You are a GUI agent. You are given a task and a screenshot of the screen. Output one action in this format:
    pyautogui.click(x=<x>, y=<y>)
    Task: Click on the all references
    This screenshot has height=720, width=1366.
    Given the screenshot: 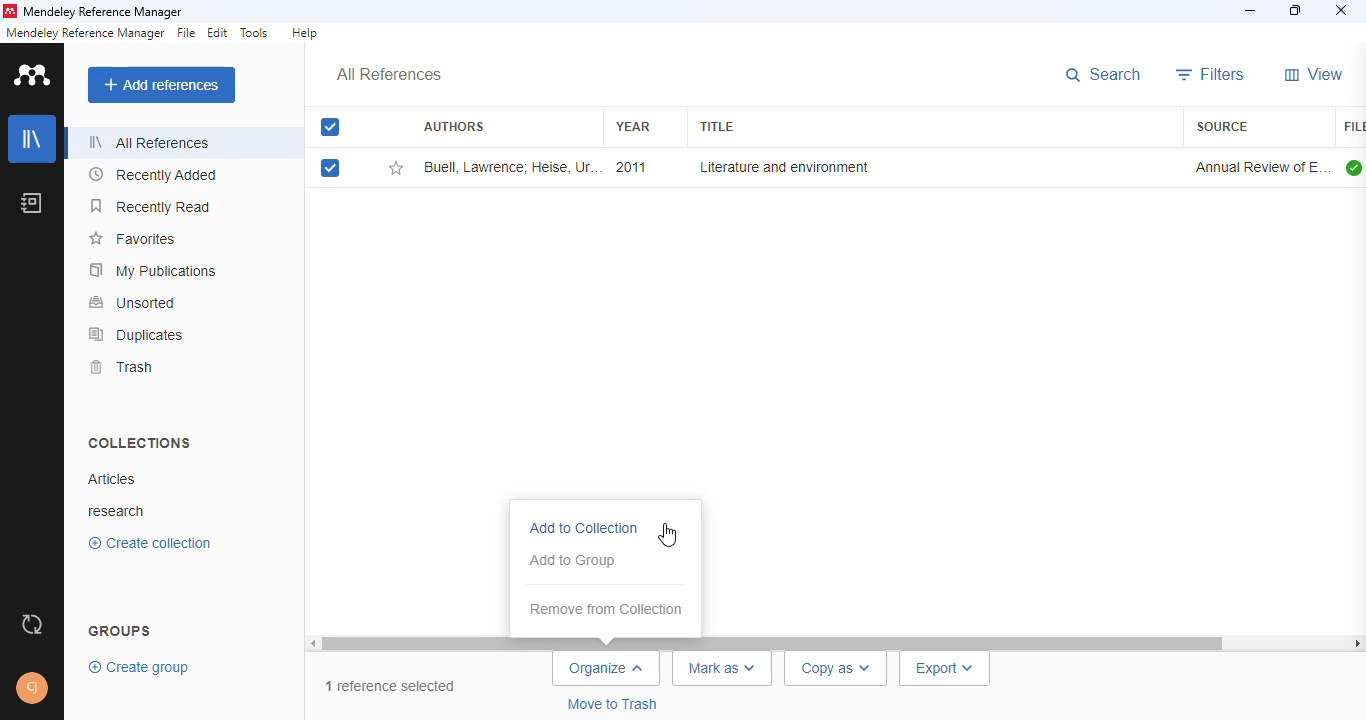 What is the action you would take?
    pyautogui.click(x=388, y=75)
    